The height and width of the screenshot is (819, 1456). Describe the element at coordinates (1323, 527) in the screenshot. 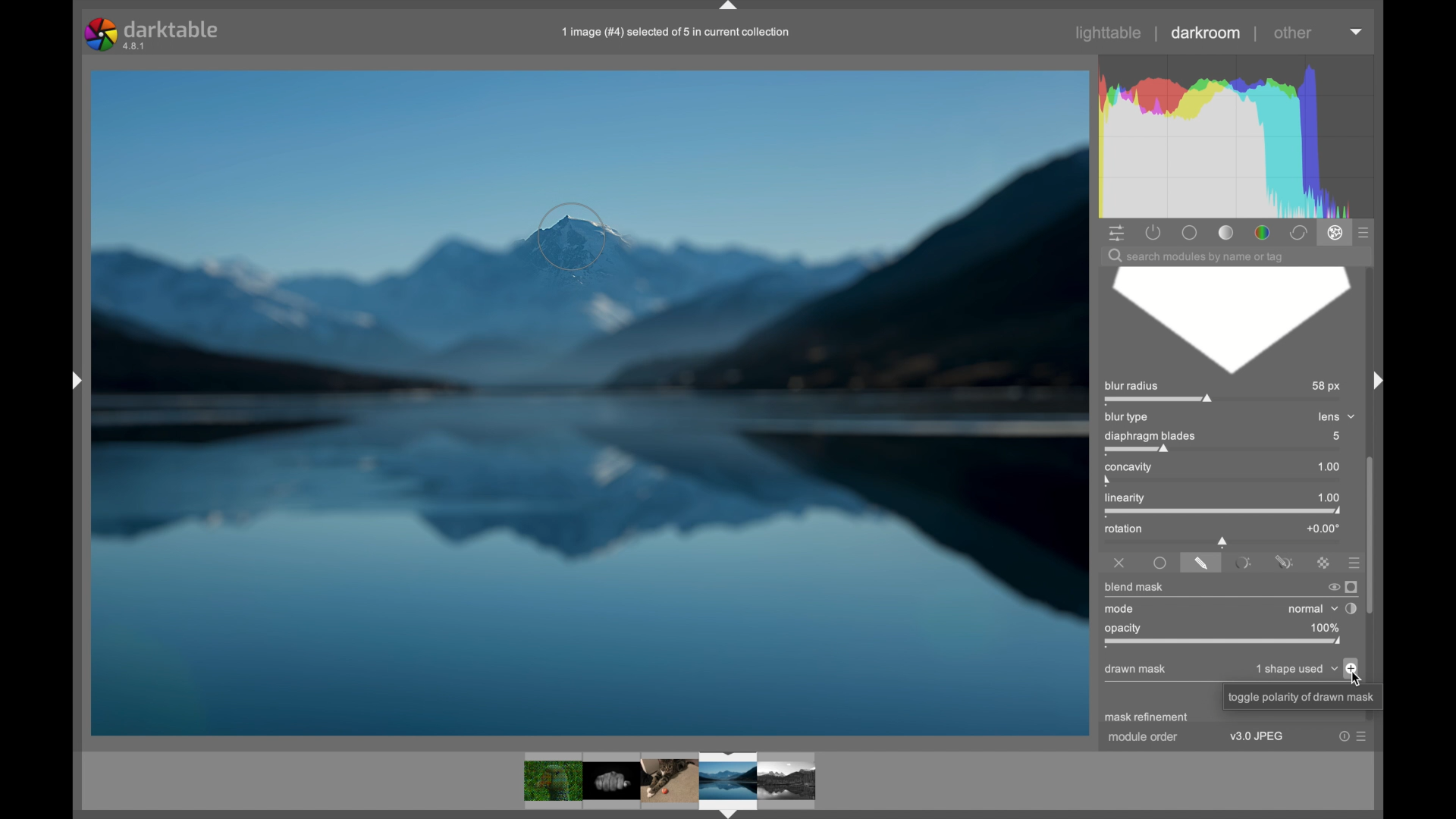

I see `+0.00` at that location.